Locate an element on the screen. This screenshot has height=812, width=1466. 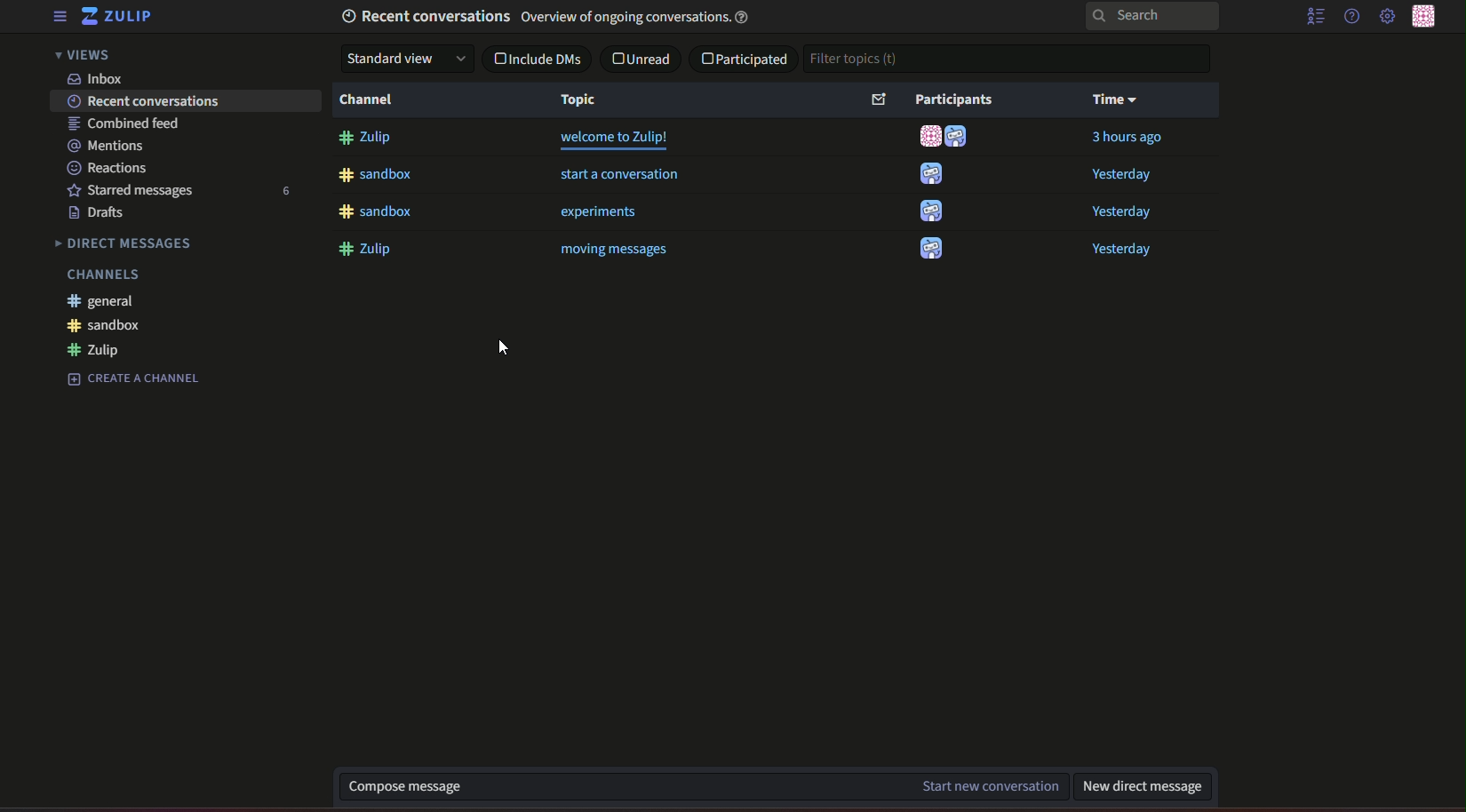
particpants is located at coordinates (956, 99).